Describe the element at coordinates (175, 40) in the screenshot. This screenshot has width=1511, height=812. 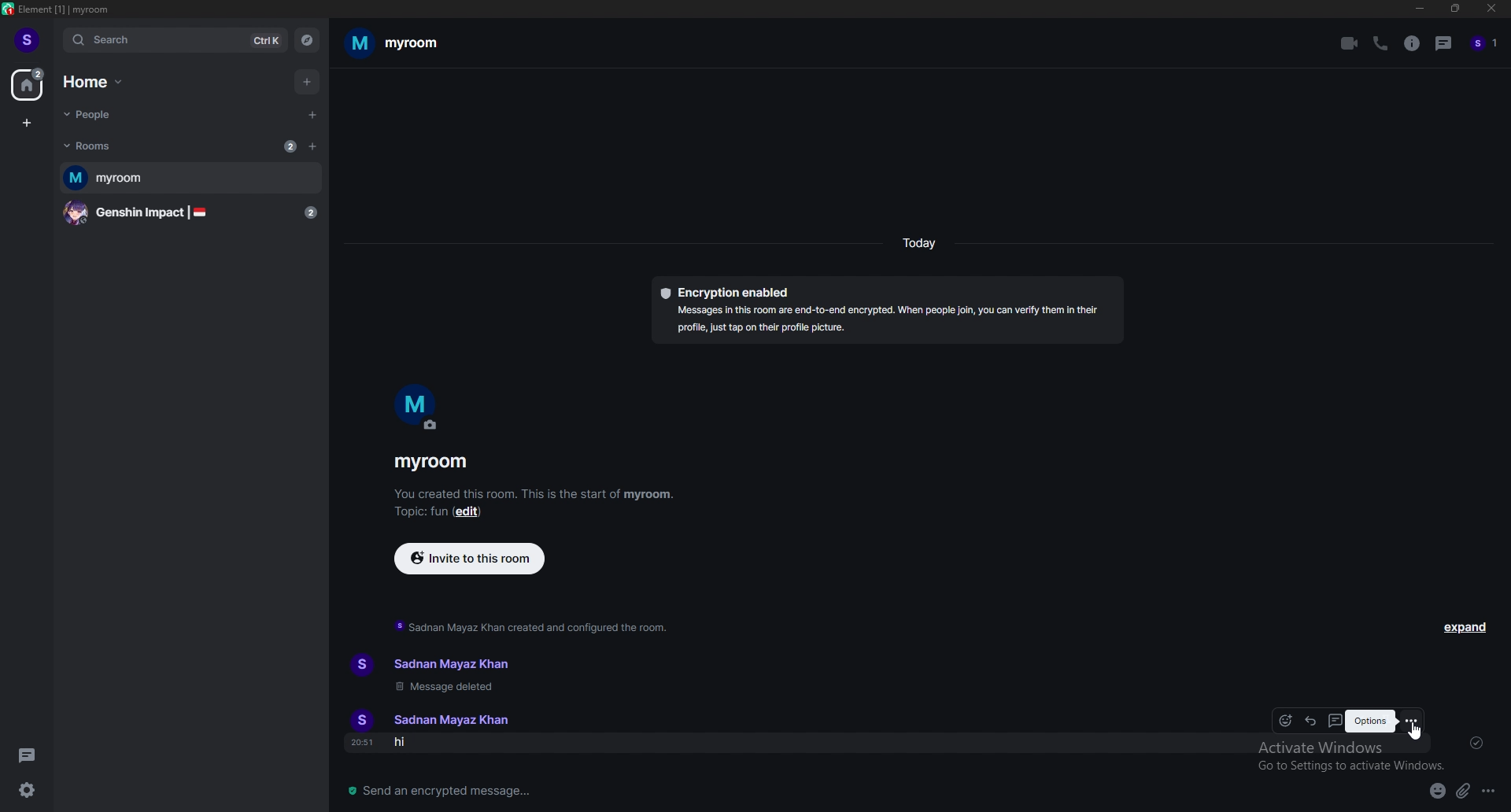
I see `search ctrl k` at that location.